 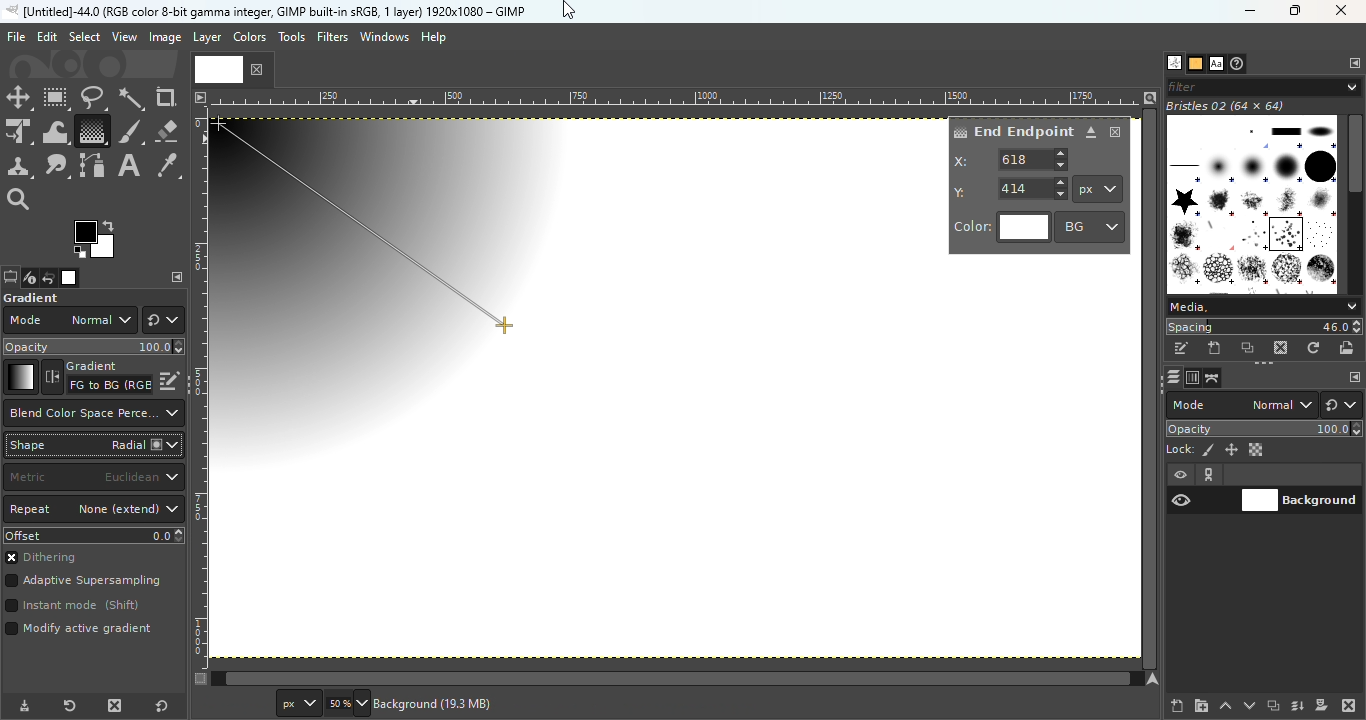 I want to click on Help, so click(x=436, y=37).